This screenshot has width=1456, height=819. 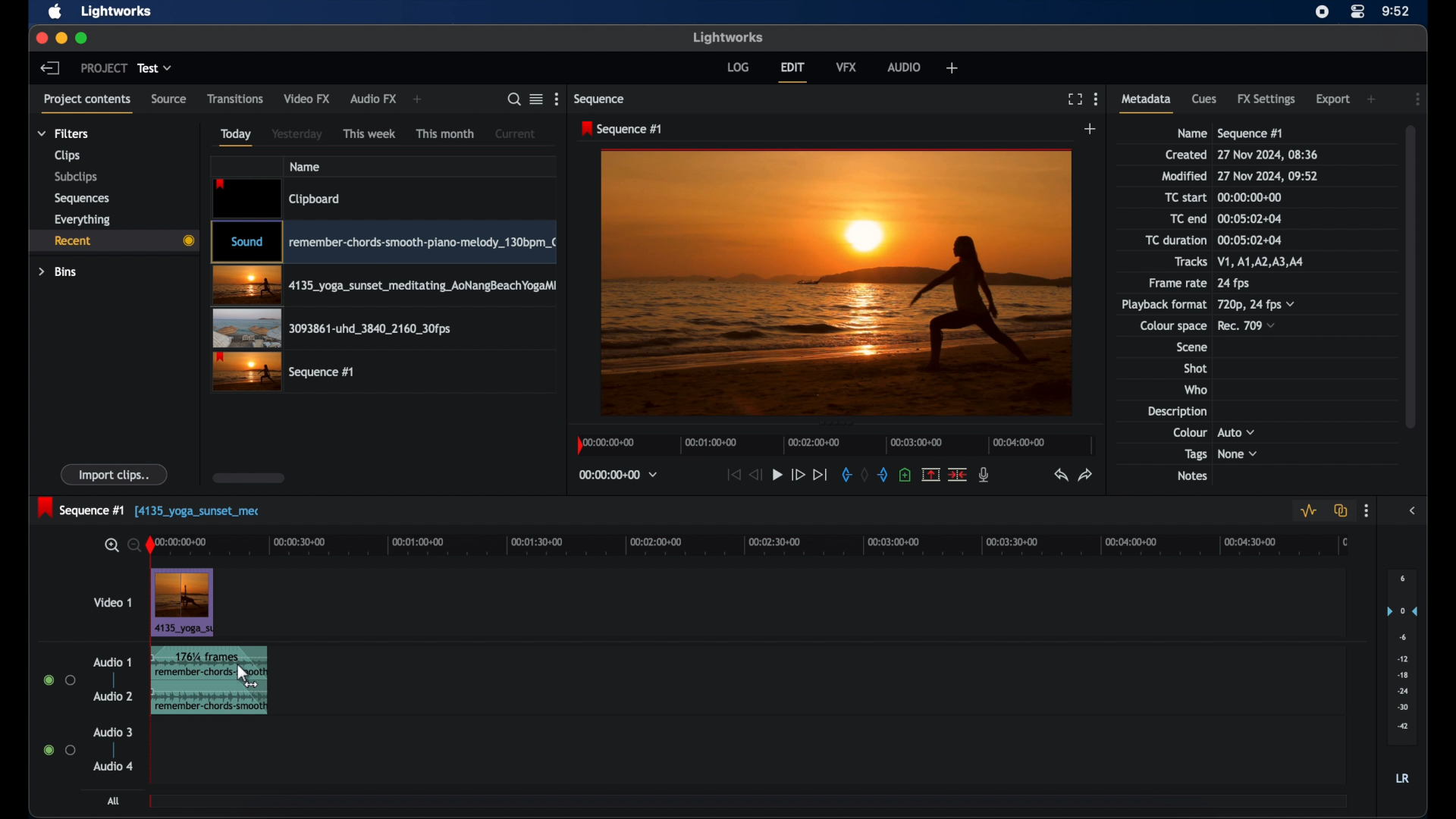 What do you see at coordinates (957, 473) in the screenshot?
I see `split` at bounding box center [957, 473].